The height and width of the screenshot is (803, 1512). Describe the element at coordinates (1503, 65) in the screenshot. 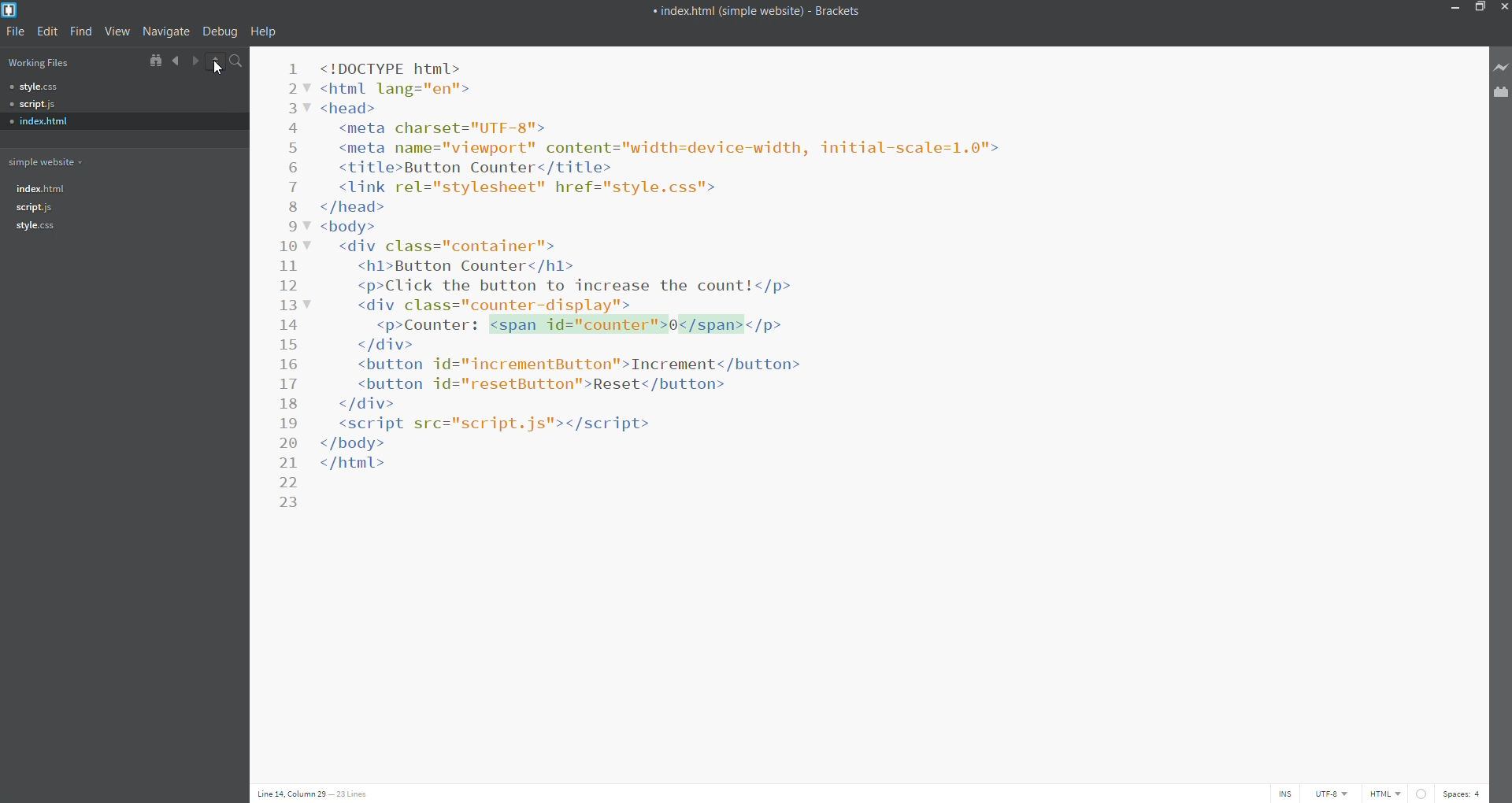

I see `live preview` at that location.